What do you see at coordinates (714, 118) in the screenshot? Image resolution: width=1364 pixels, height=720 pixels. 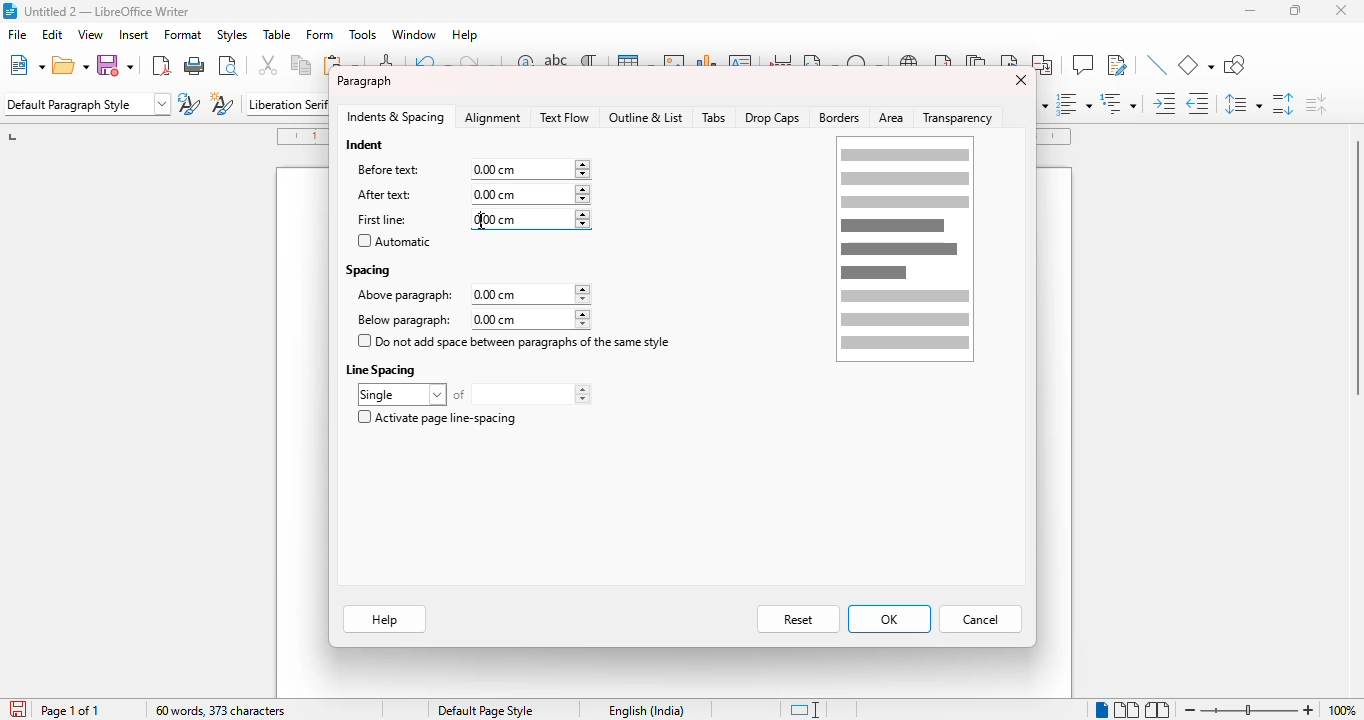 I see `tabs` at bounding box center [714, 118].